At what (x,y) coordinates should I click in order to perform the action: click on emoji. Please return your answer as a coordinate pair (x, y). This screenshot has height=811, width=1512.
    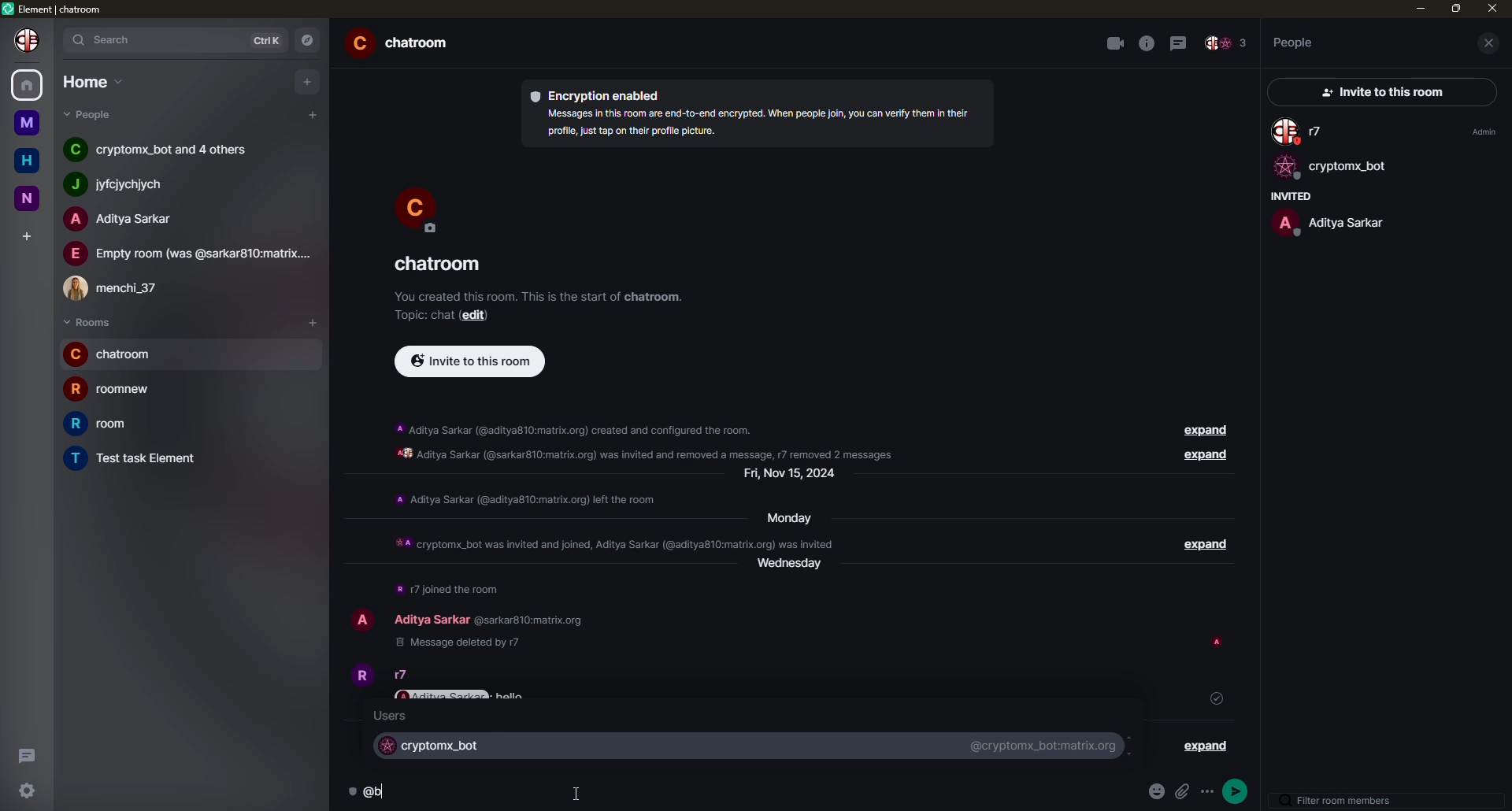
    Looking at the image, I should click on (1159, 792).